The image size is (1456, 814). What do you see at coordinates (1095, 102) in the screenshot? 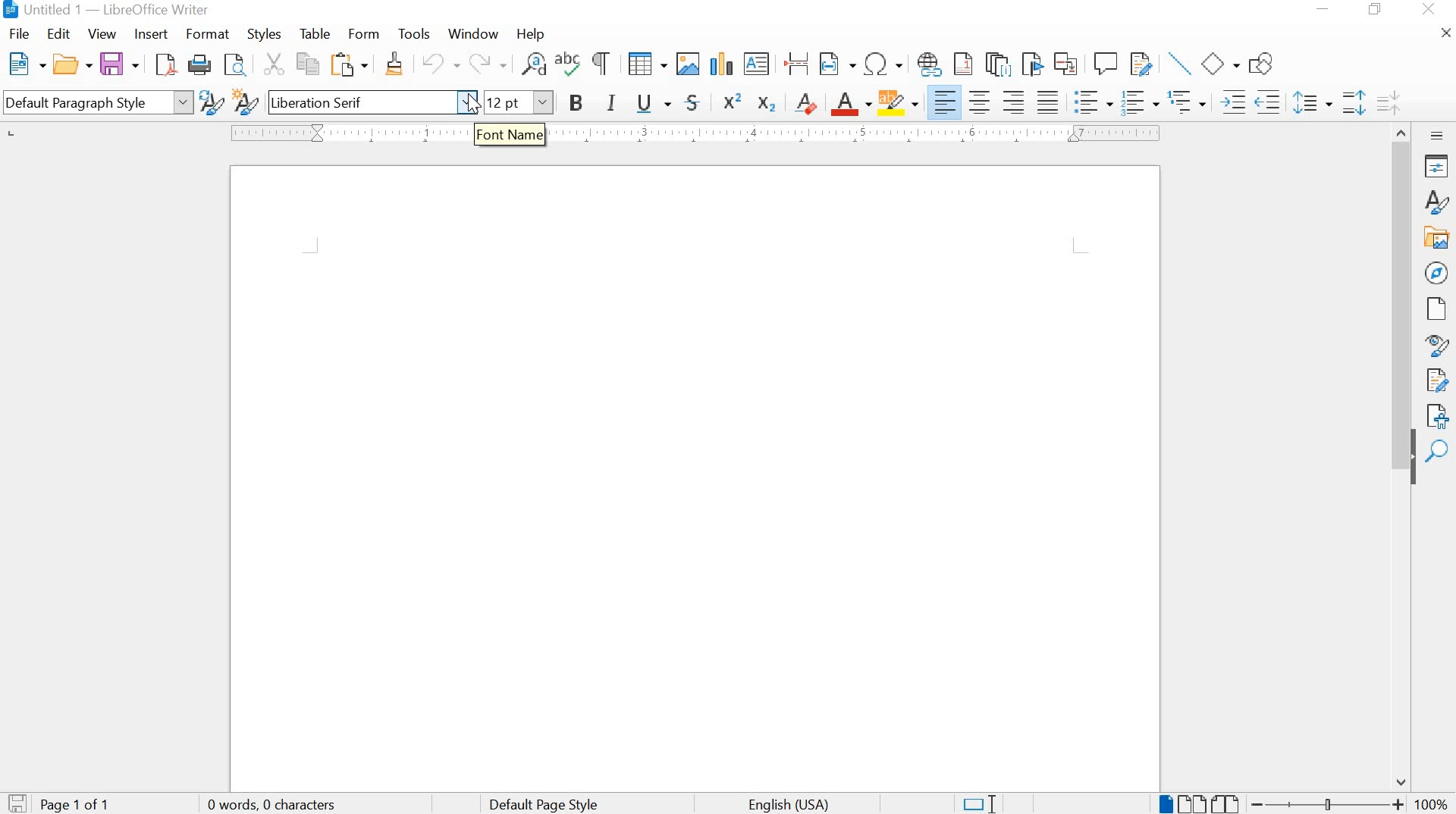
I see `TOGGLE UNORDERED LIST` at bounding box center [1095, 102].